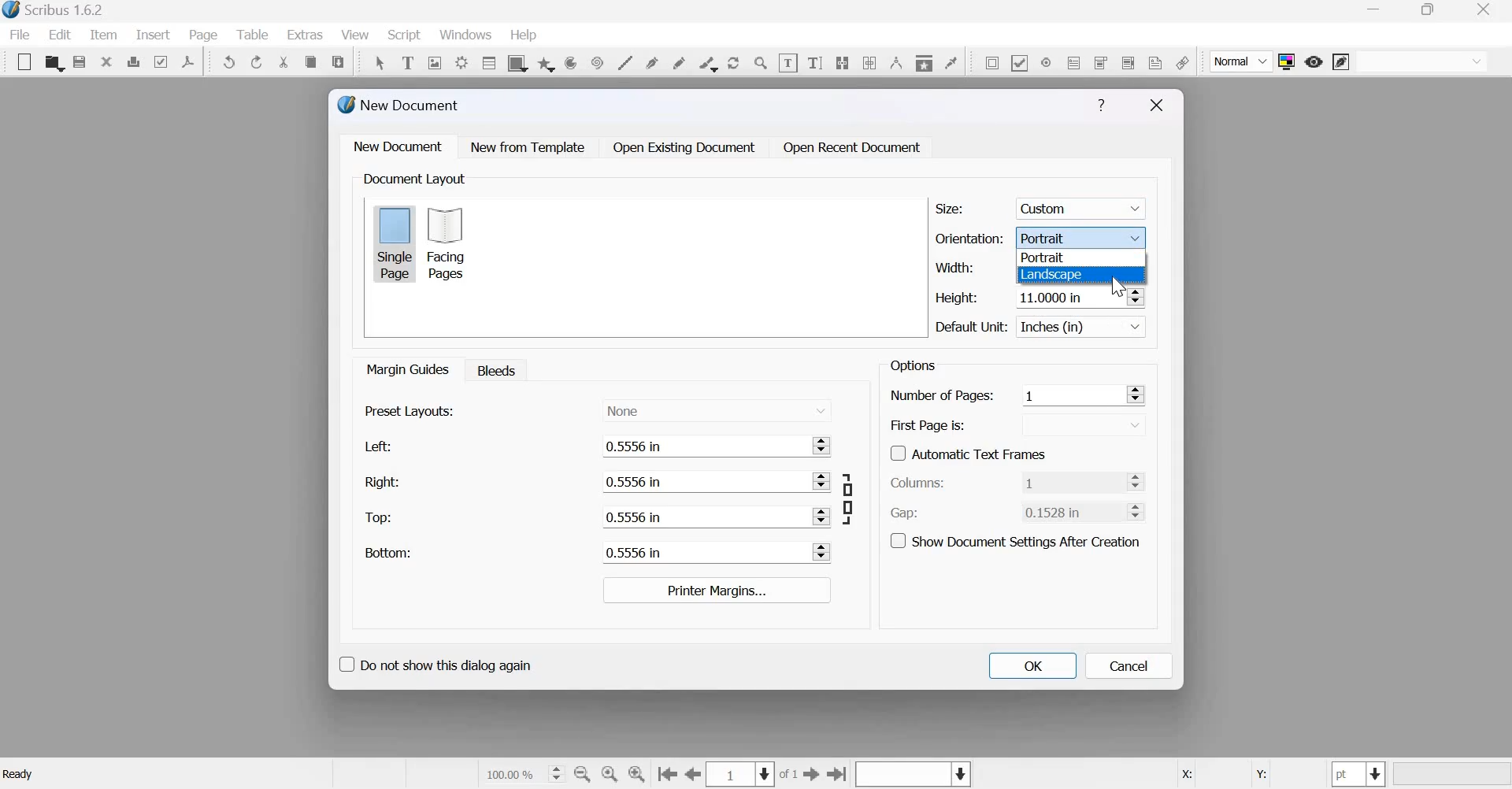  What do you see at coordinates (957, 298) in the screenshot?
I see `Height:` at bounding box center [957, 298].